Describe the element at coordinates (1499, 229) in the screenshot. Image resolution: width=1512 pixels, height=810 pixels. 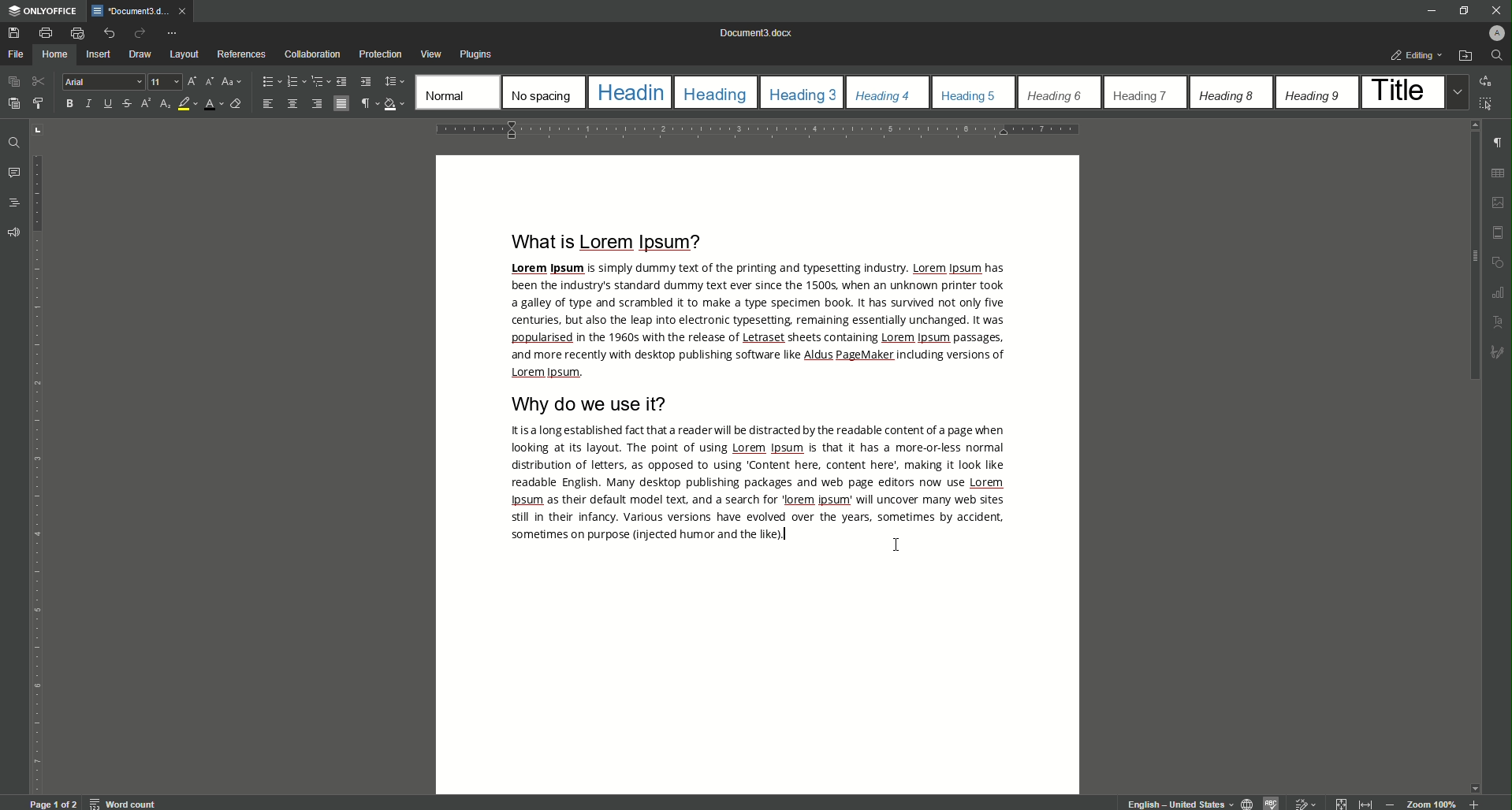
I see `margin` at that location.